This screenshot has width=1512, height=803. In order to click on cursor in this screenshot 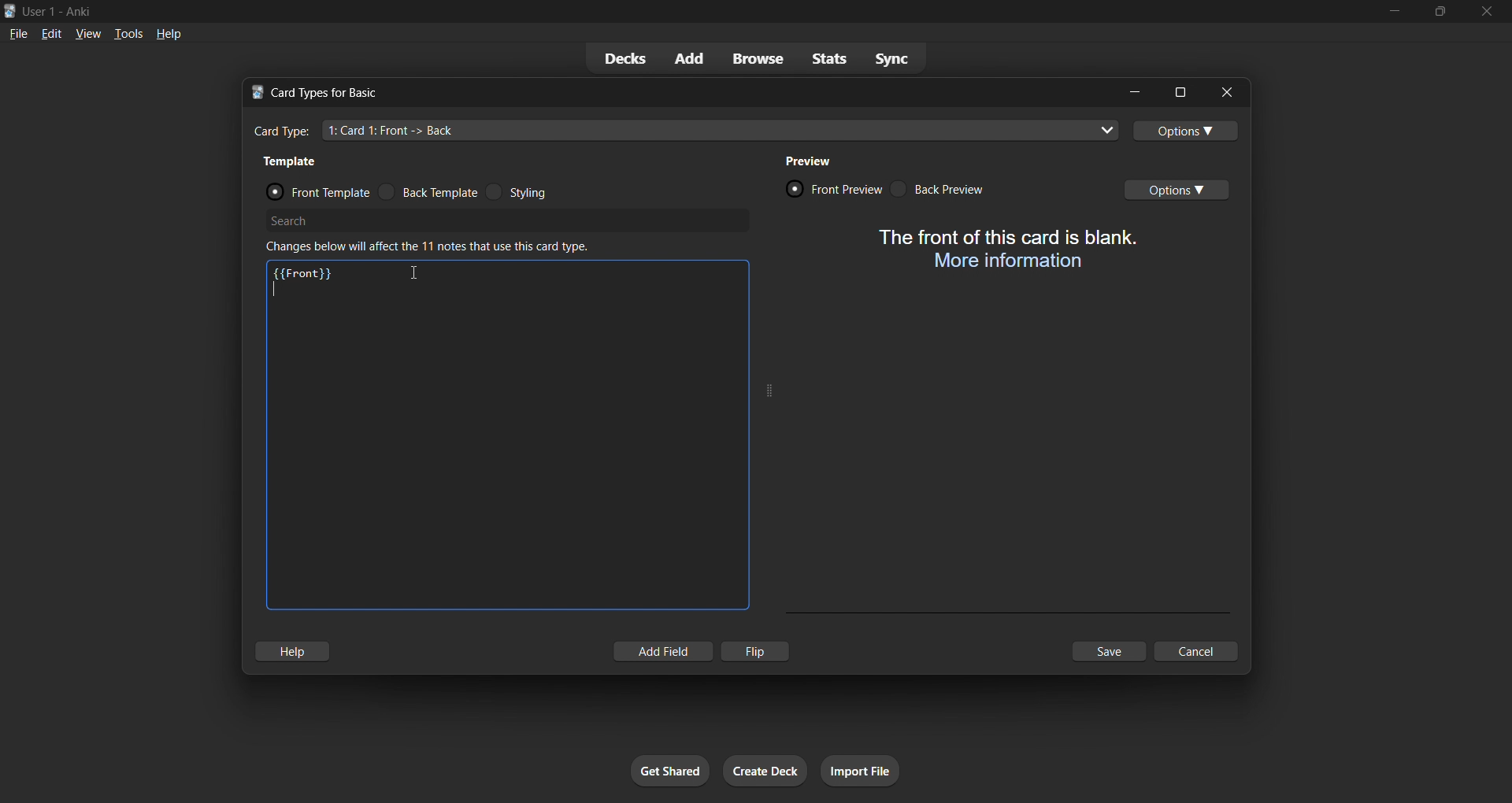, I will do `click(415, 273)`.